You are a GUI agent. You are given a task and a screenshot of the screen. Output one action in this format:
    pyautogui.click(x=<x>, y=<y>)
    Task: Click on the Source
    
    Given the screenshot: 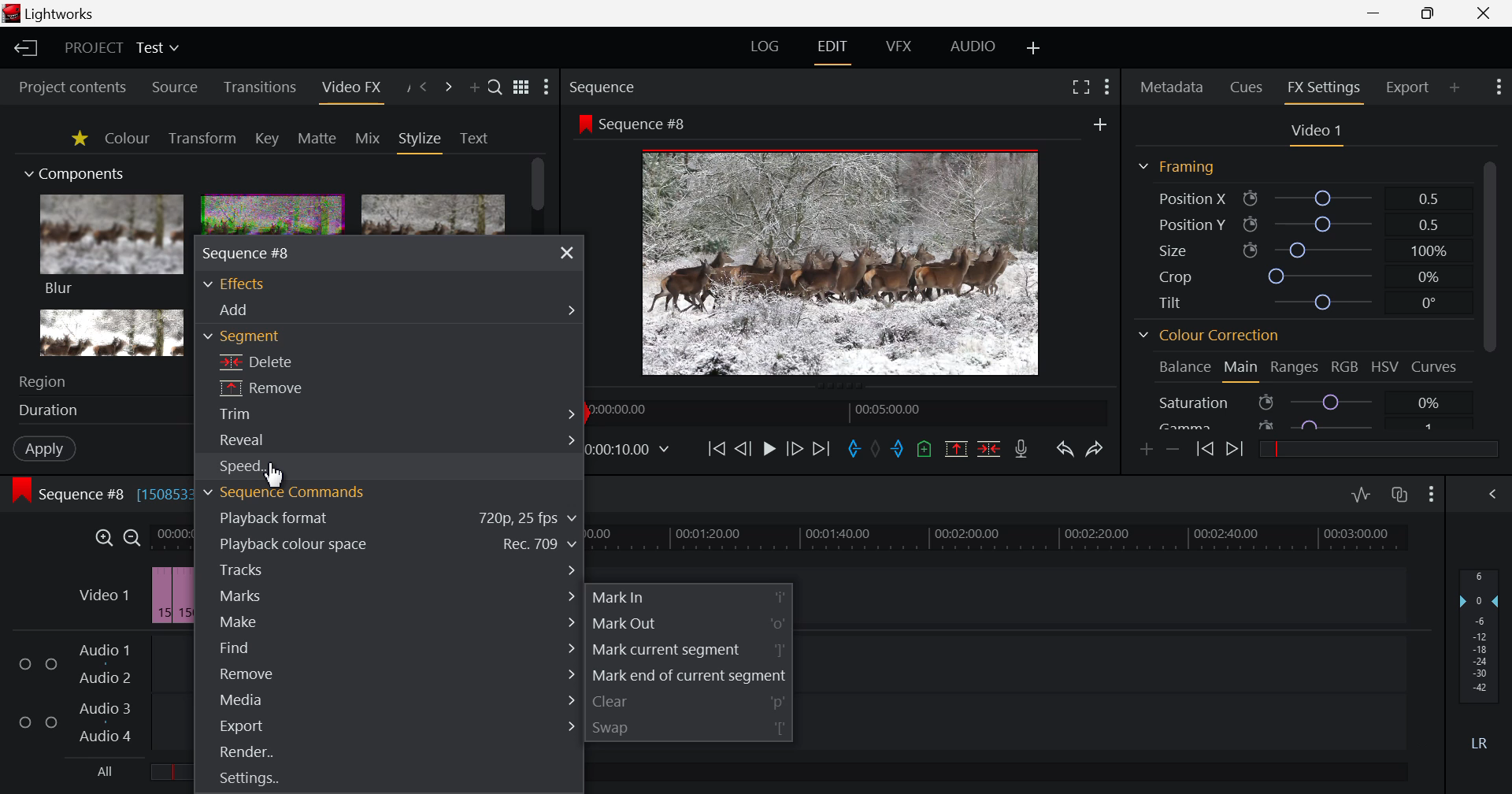 What is the action you would take?
    pyautogui.click(x=176, y=87)
    